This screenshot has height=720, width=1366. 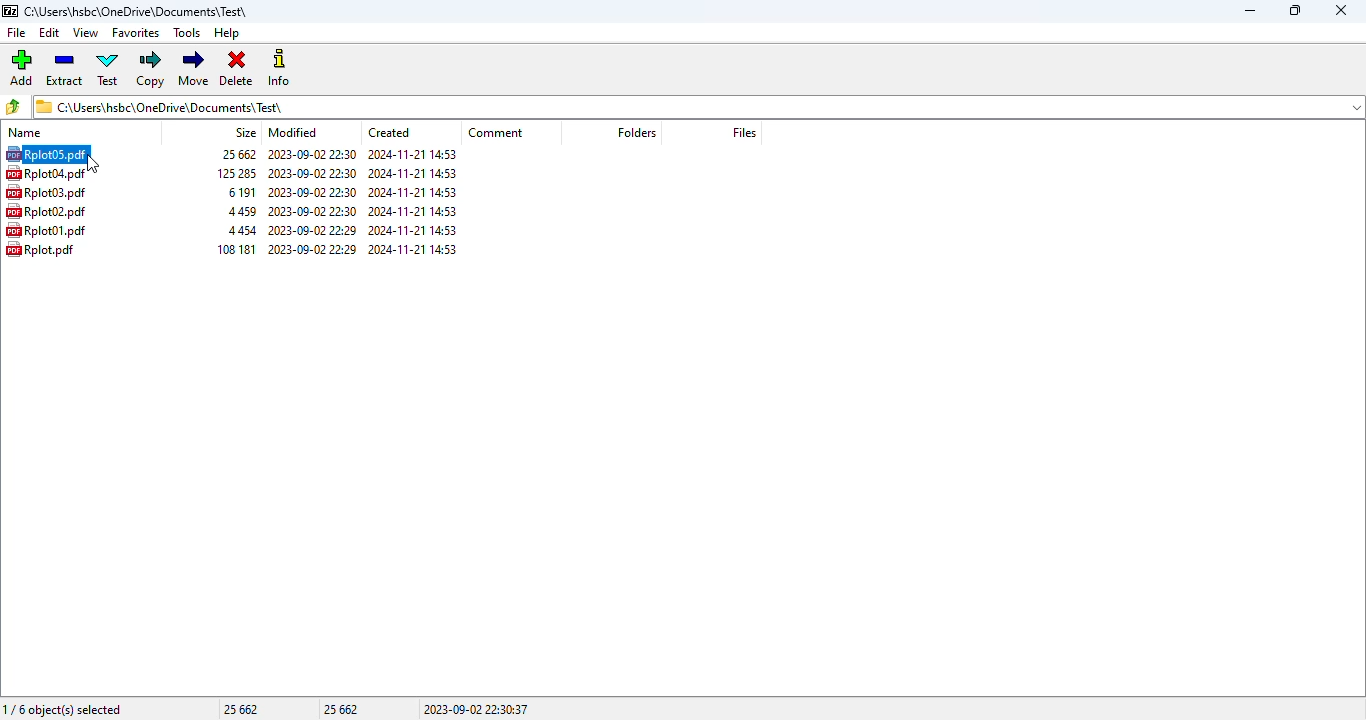 What do you see at coordinates (389, 133) in the screenshot?
I see `created` at bounding box center [389, 133].